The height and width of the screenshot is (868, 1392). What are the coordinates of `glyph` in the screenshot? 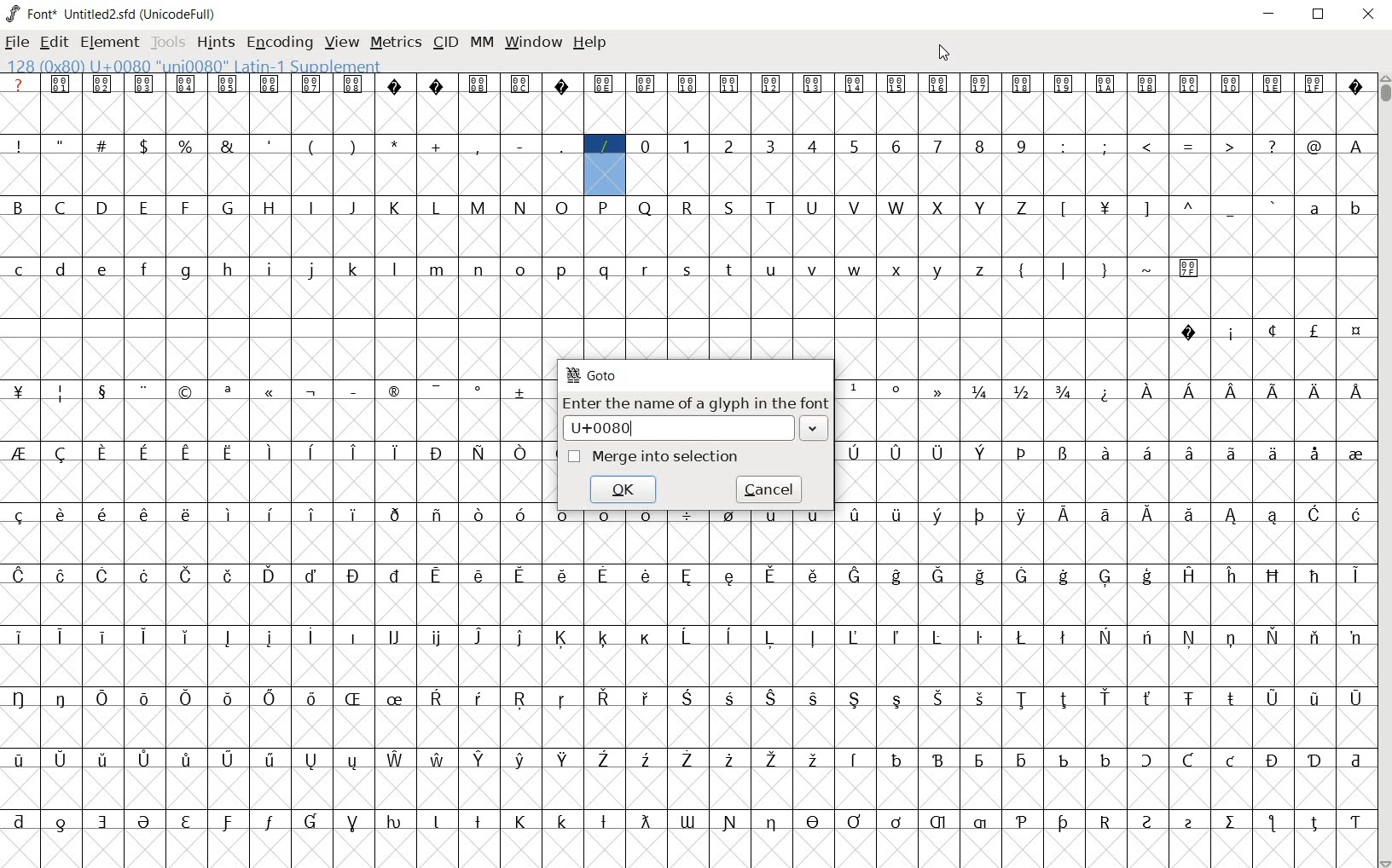 It's located at (186, 393).